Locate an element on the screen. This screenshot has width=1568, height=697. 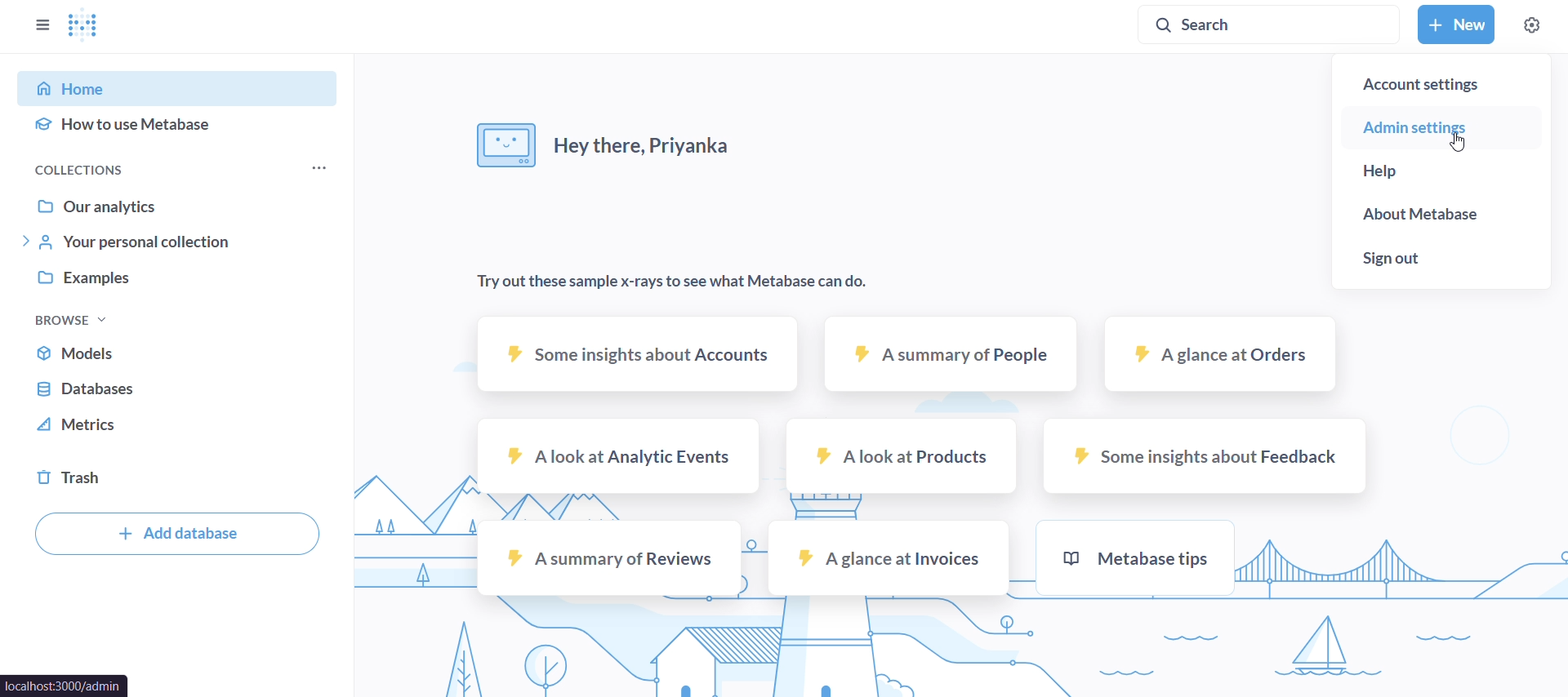
our analytics is located at coordinates (177, 202).